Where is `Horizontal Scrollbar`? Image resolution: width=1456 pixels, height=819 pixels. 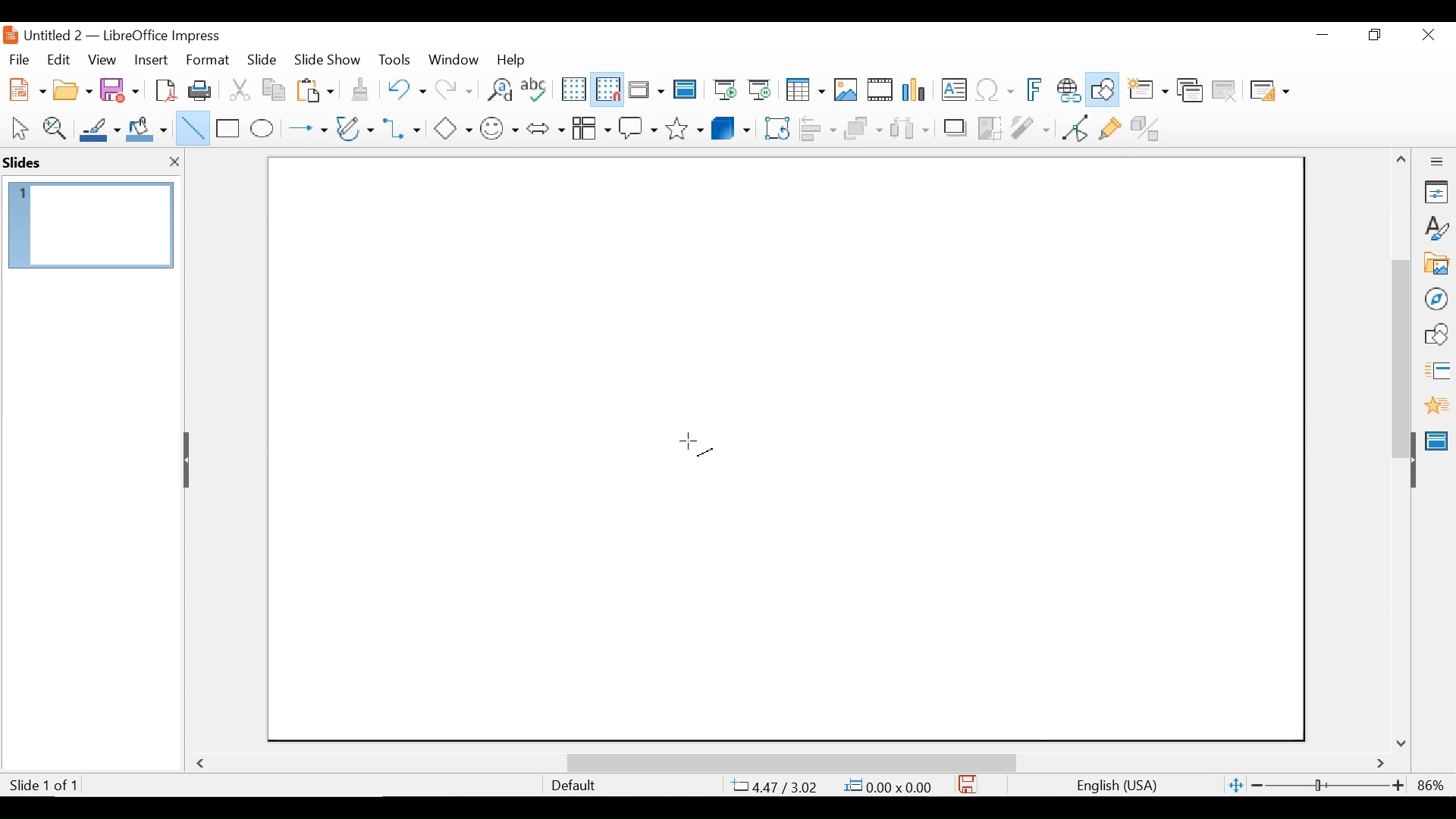
Horizontal Scrollbar is located at coordinates (790, 762).